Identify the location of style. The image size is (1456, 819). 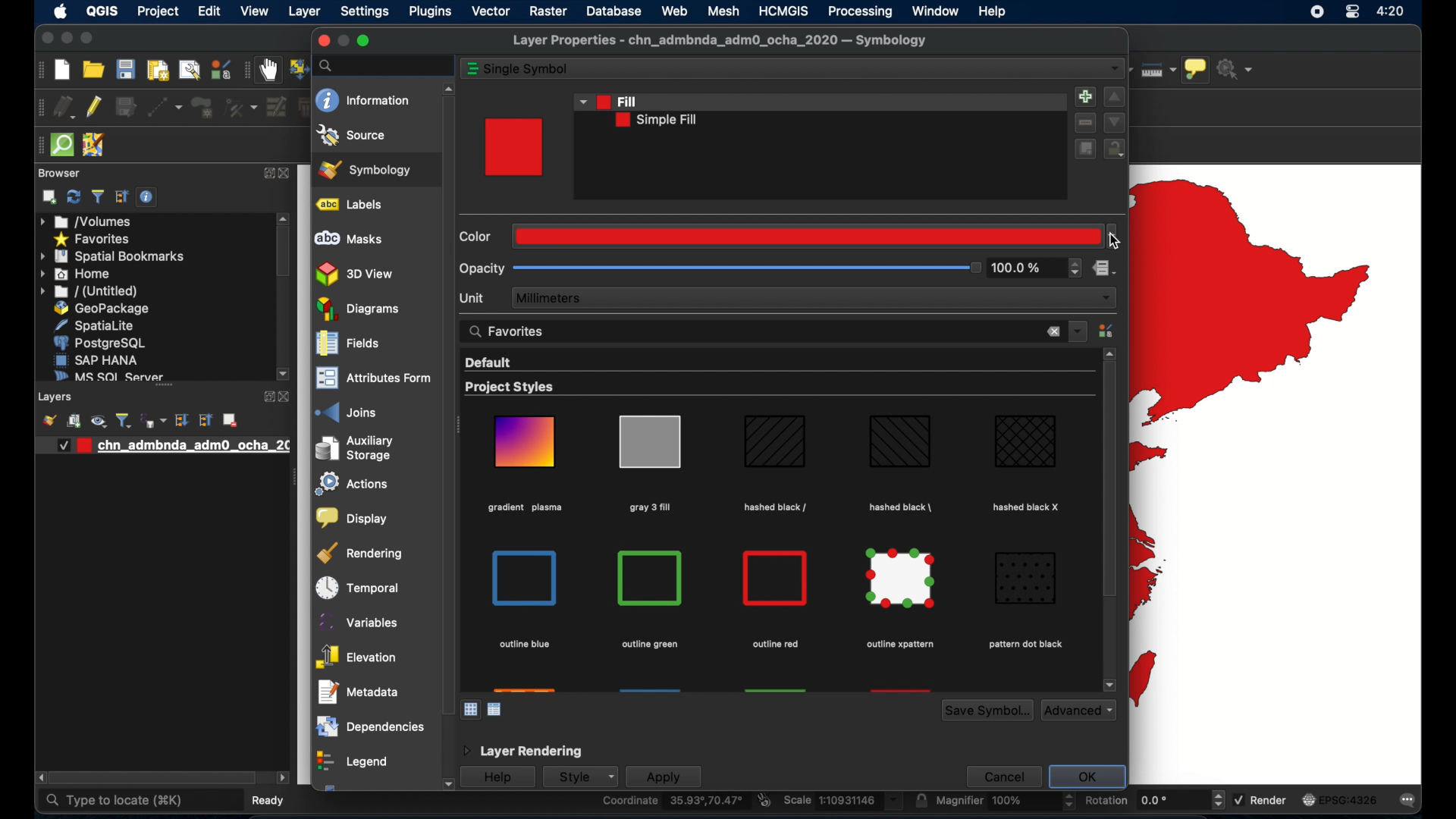
(579, 777).